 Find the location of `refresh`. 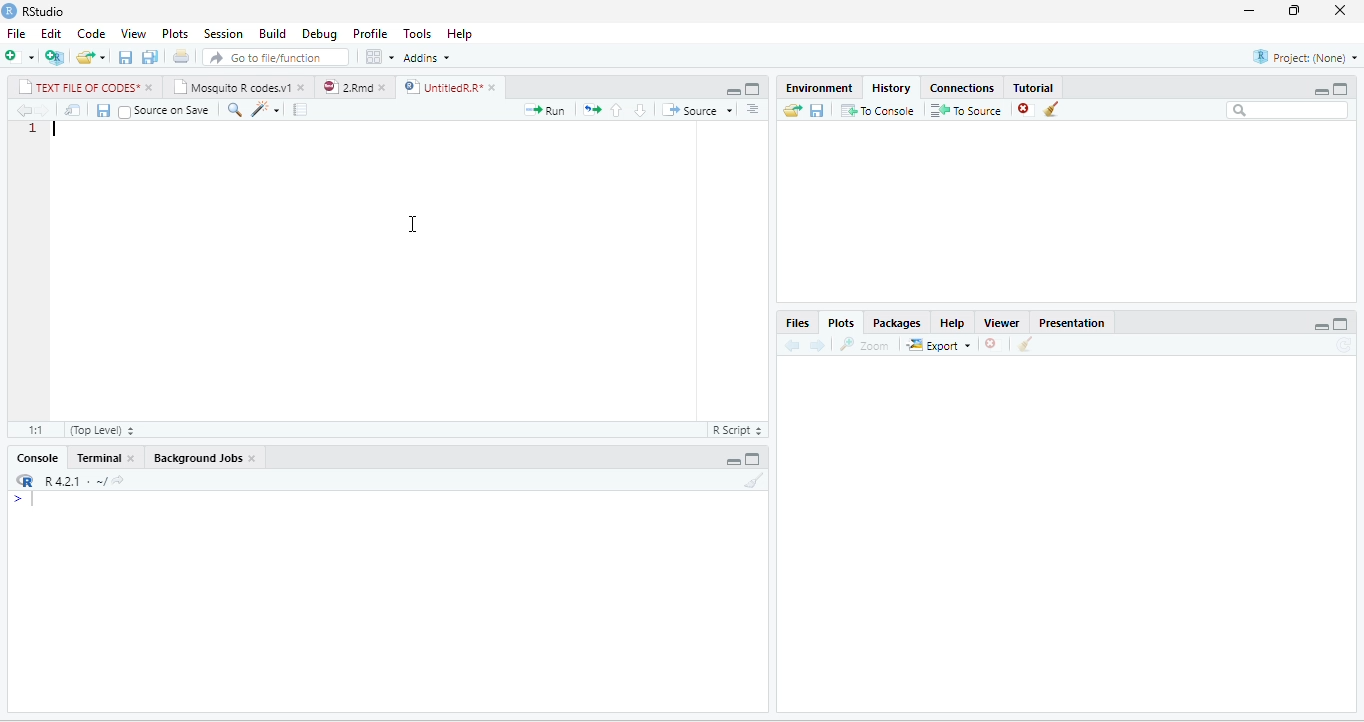

refresh is located at coordinates (1346, 346).